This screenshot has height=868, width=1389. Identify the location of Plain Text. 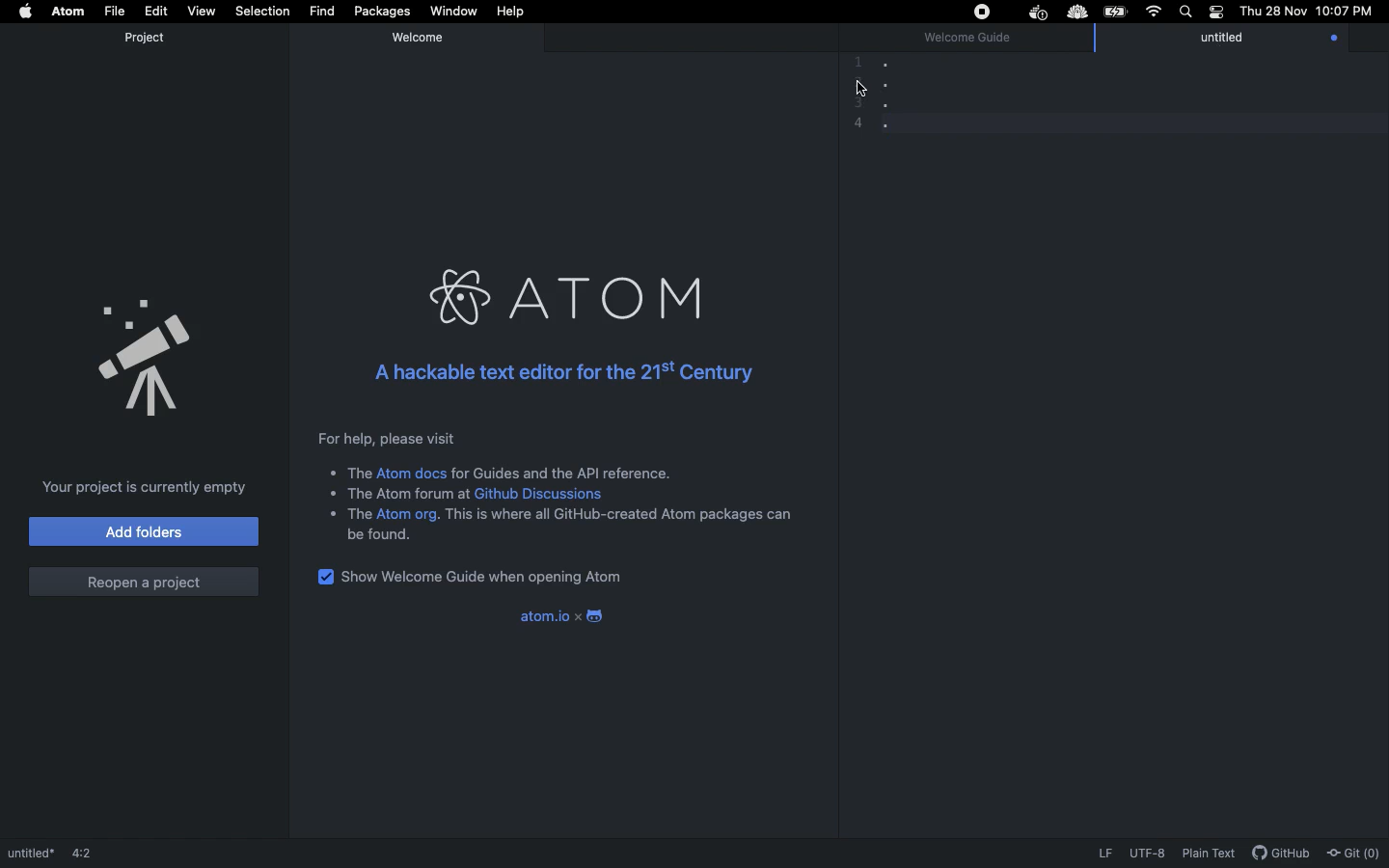
(1208, 854).